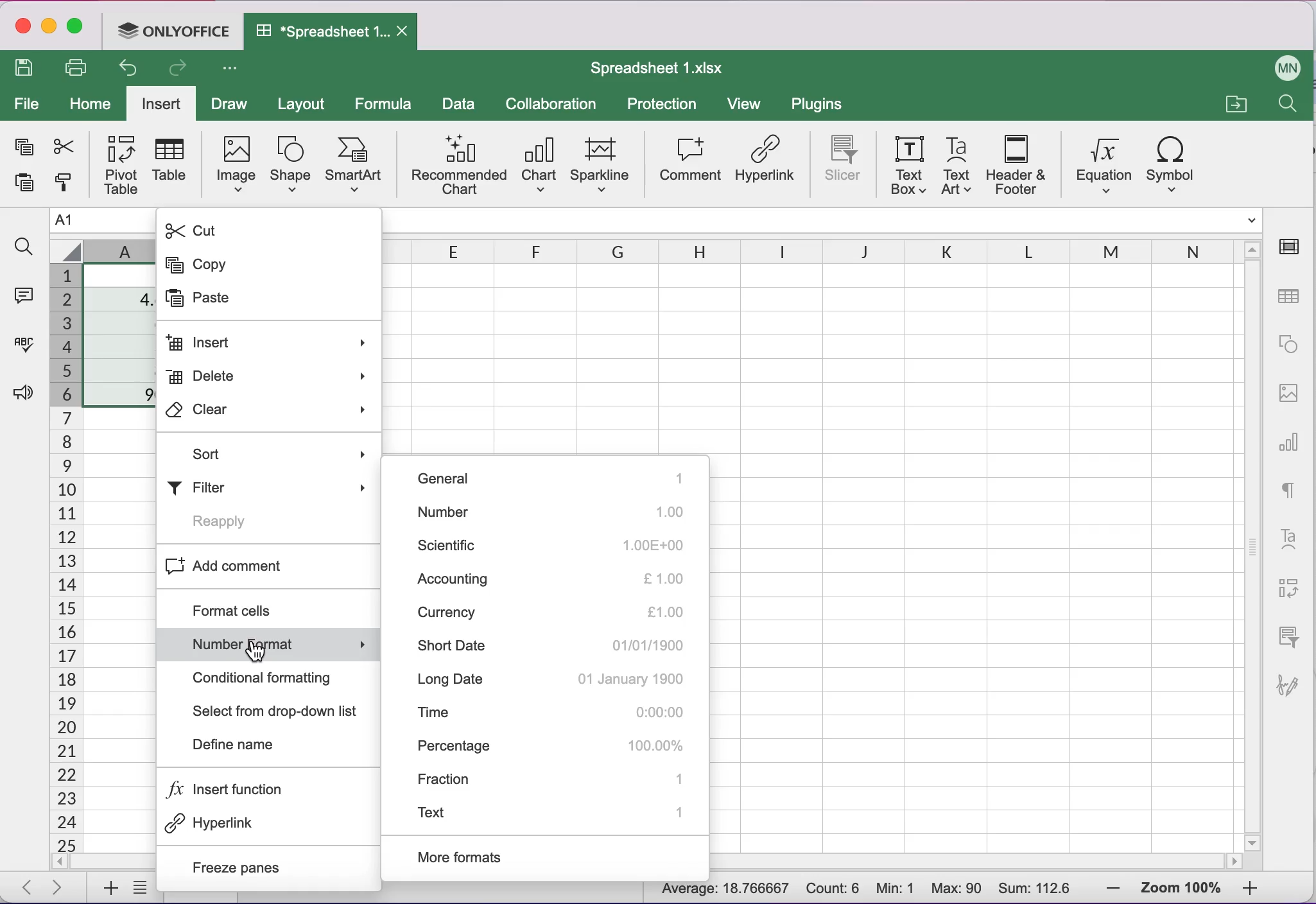 This screenshot has width=1316, height=904. What do you see at coordinates (230, 67) in the screenshot?
I see `Customize access tool bar` at bounding box center [230, 67].